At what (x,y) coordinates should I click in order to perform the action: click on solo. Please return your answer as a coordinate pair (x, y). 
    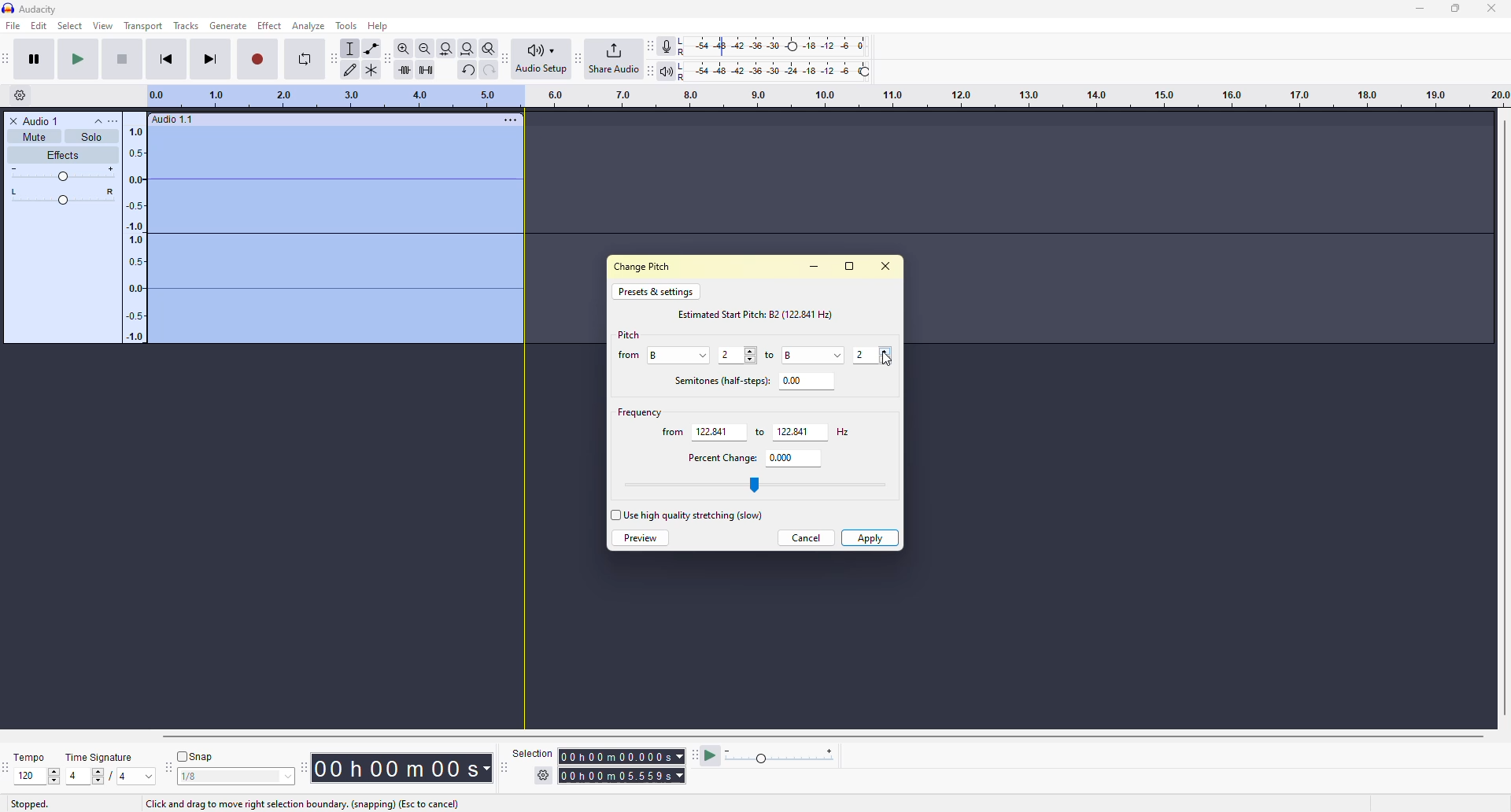
    Looking at the image, I should click on (91, 136).